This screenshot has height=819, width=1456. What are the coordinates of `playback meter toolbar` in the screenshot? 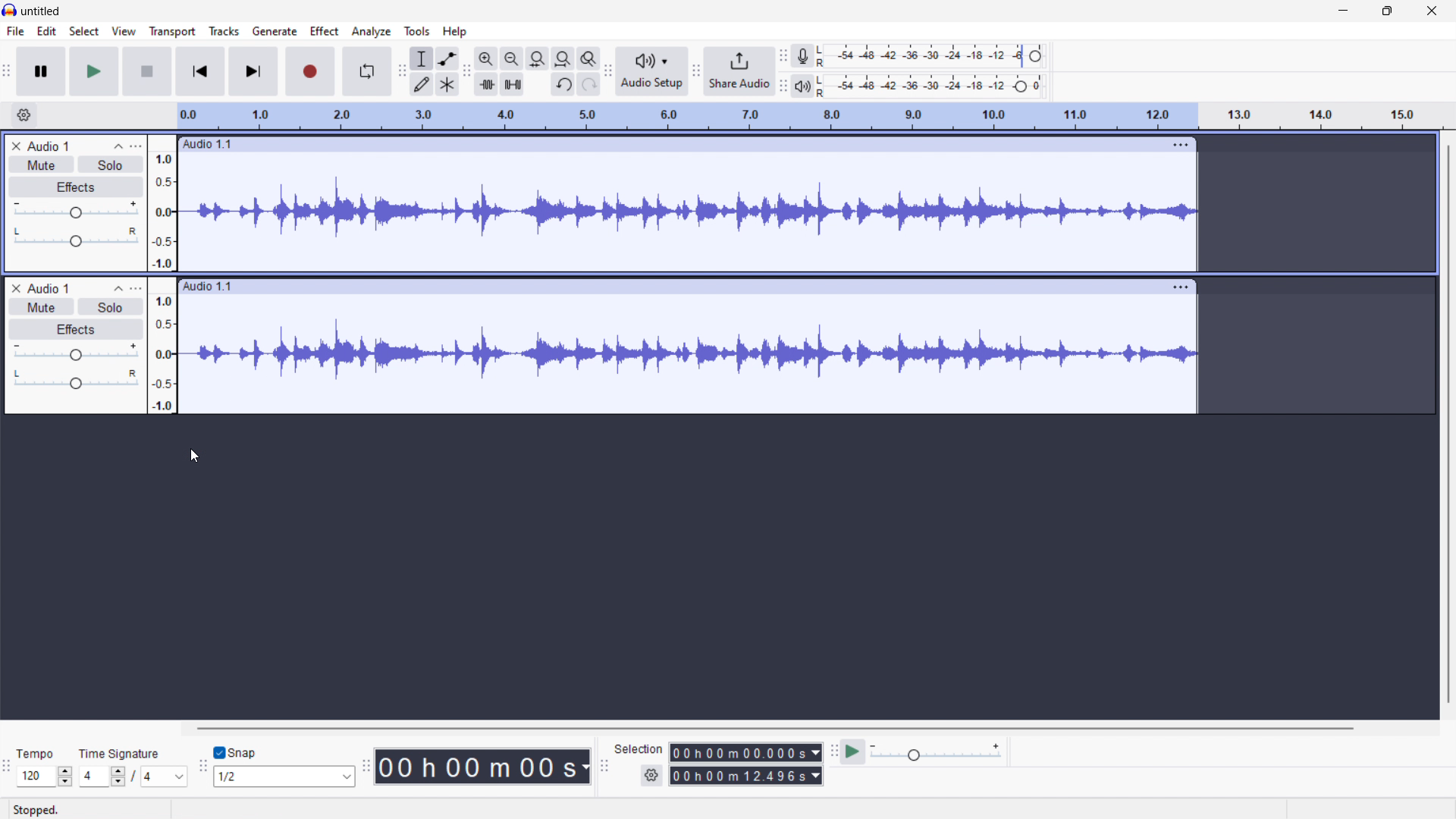 It's located at (782, 87).